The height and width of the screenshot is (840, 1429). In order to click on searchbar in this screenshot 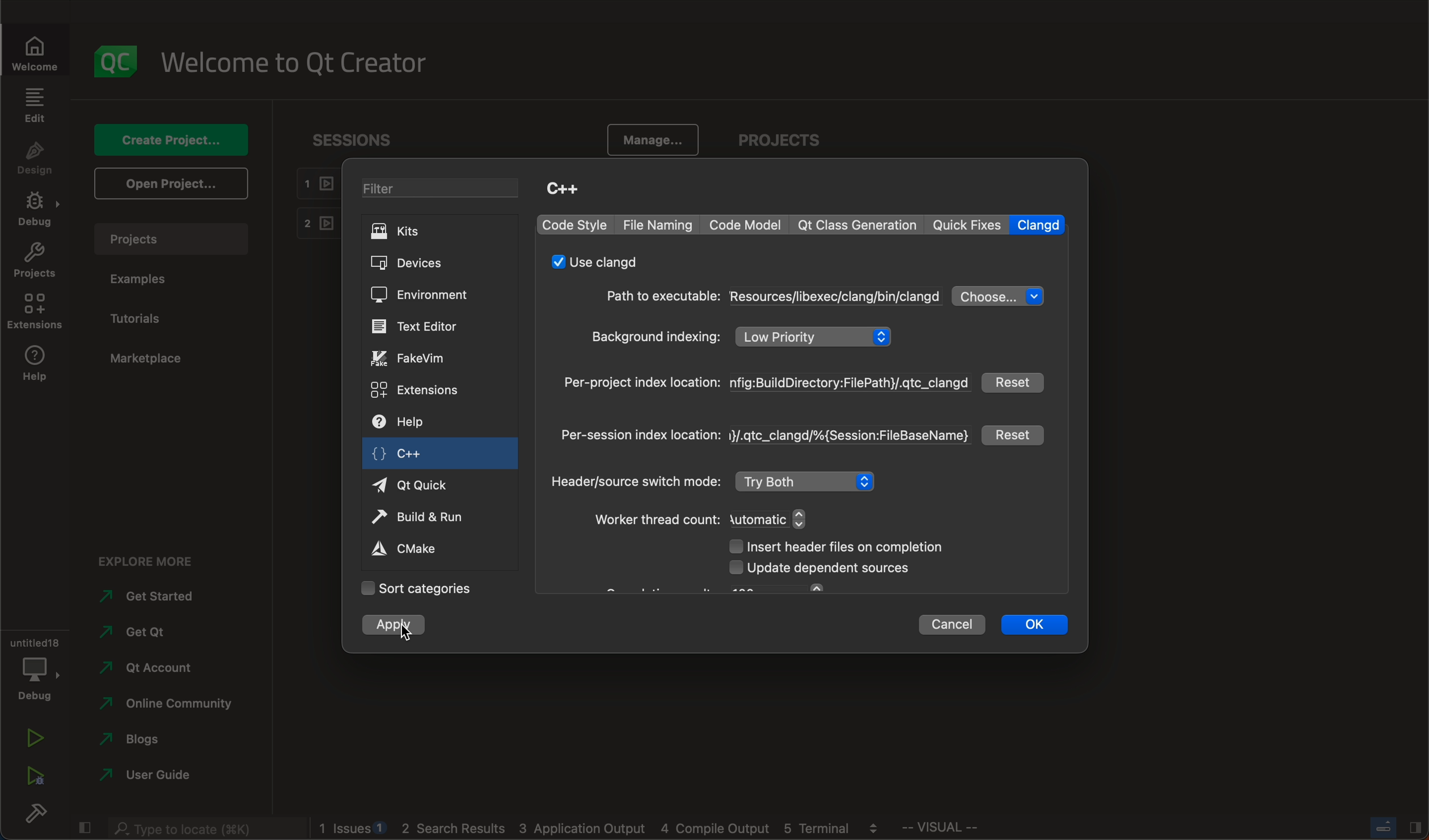, I will do `click(203, 829)`.